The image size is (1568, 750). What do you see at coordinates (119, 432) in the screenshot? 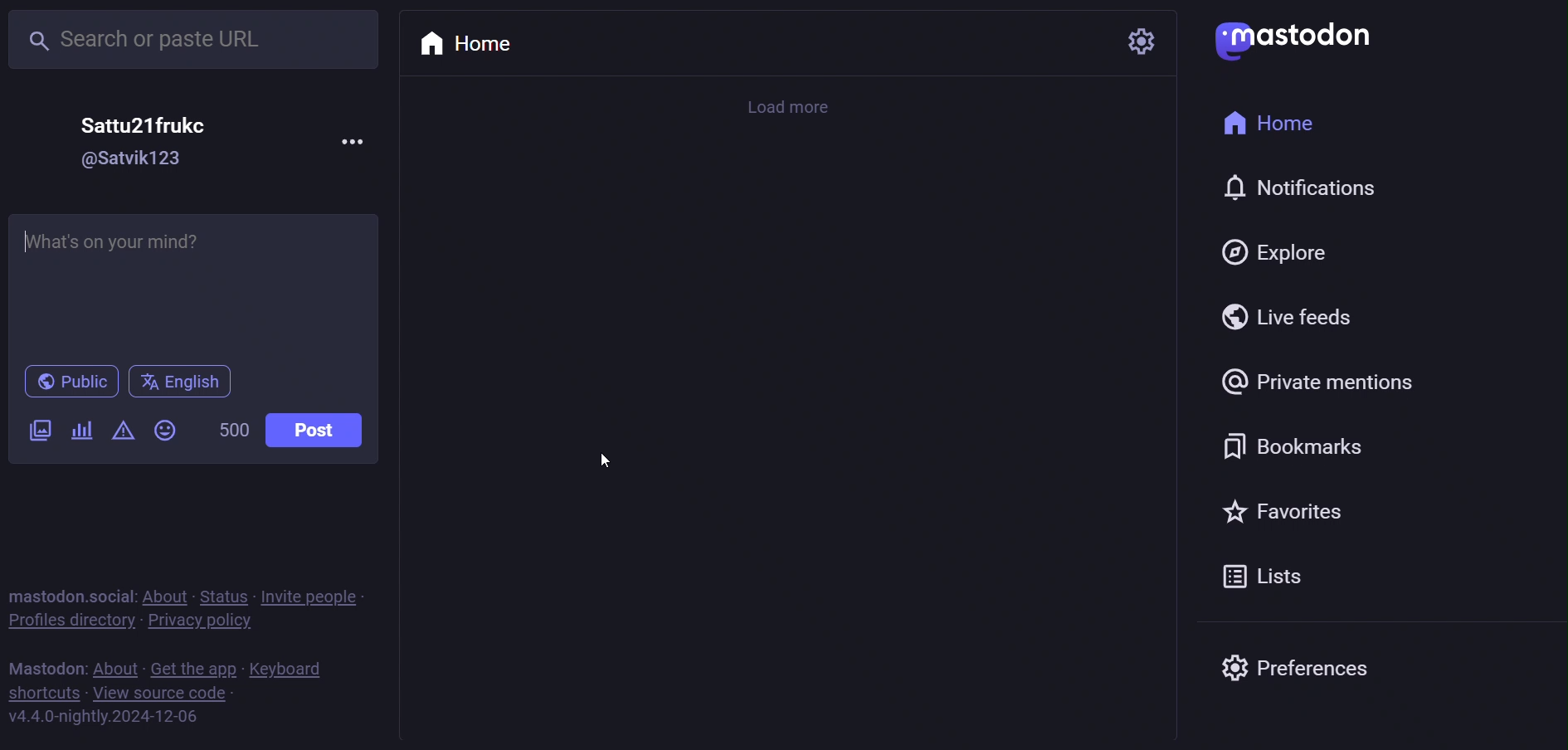
I see `content warning` at bounding box center [119, 432].